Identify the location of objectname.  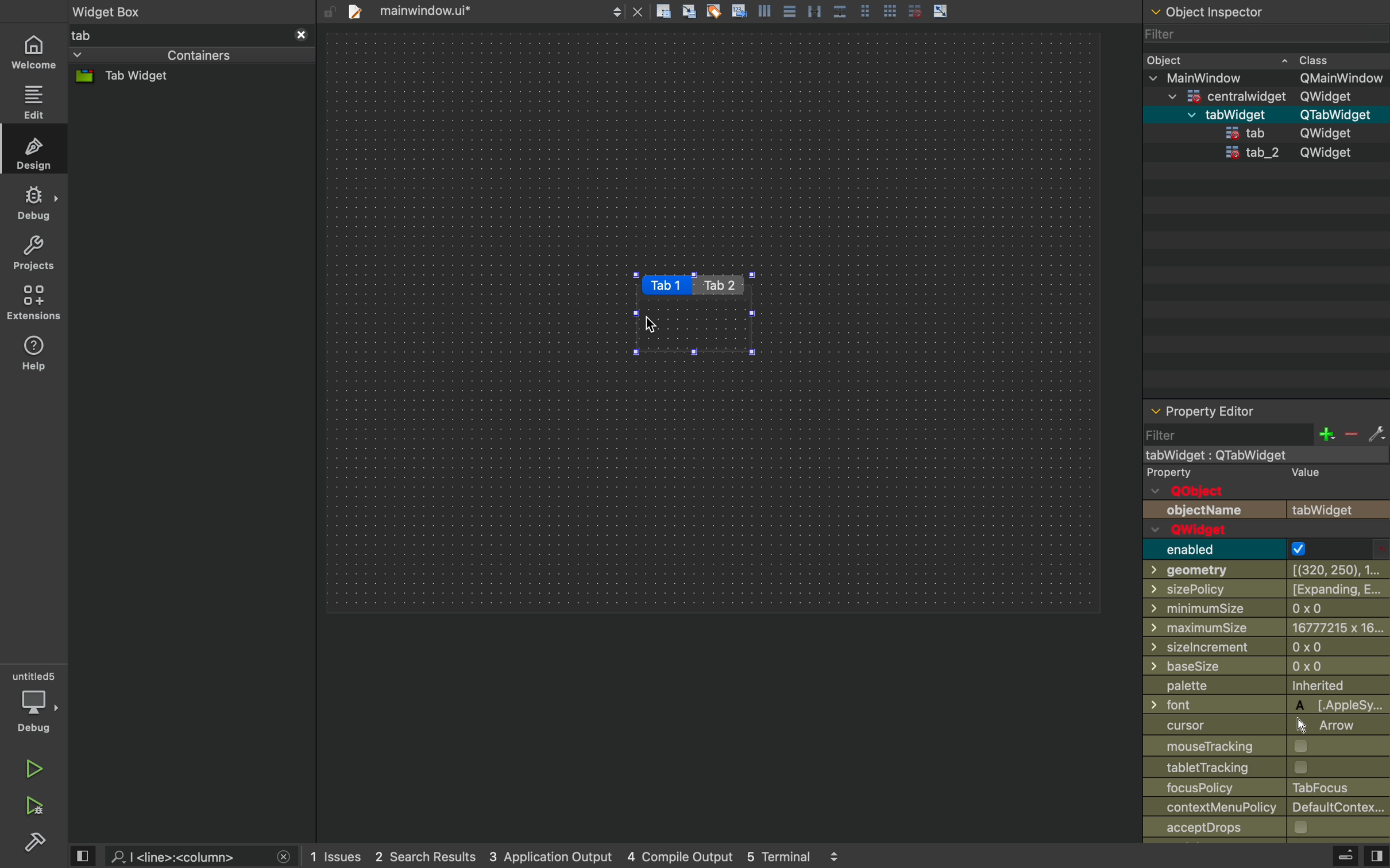
(1265, 509).